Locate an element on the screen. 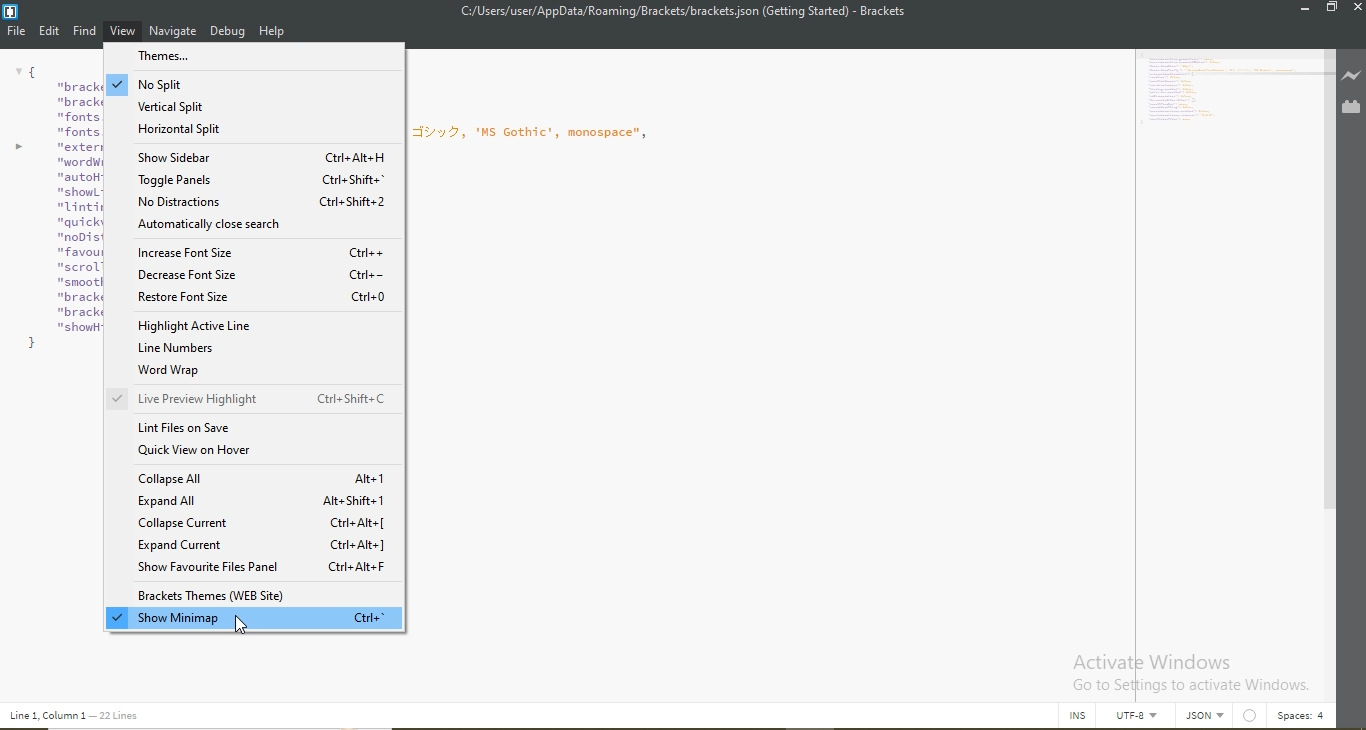 This screenshot has width=1366, height=730. restore font size is located at coordinates (258, 302).